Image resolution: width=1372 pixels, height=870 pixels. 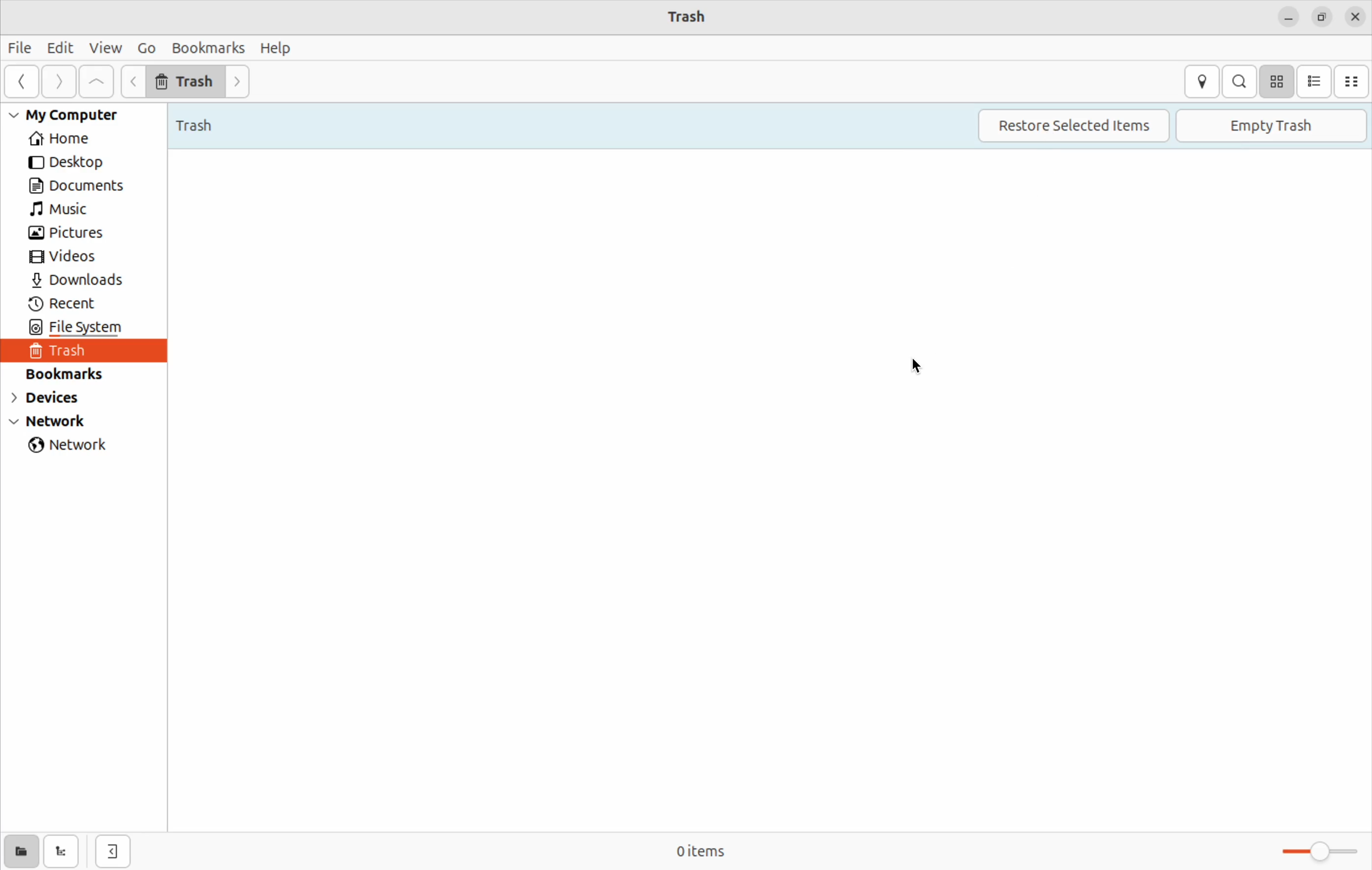 What do you see at coordinates (97, 82) in the screenshot?
I see `Go up` at bounding box center [97, 82].